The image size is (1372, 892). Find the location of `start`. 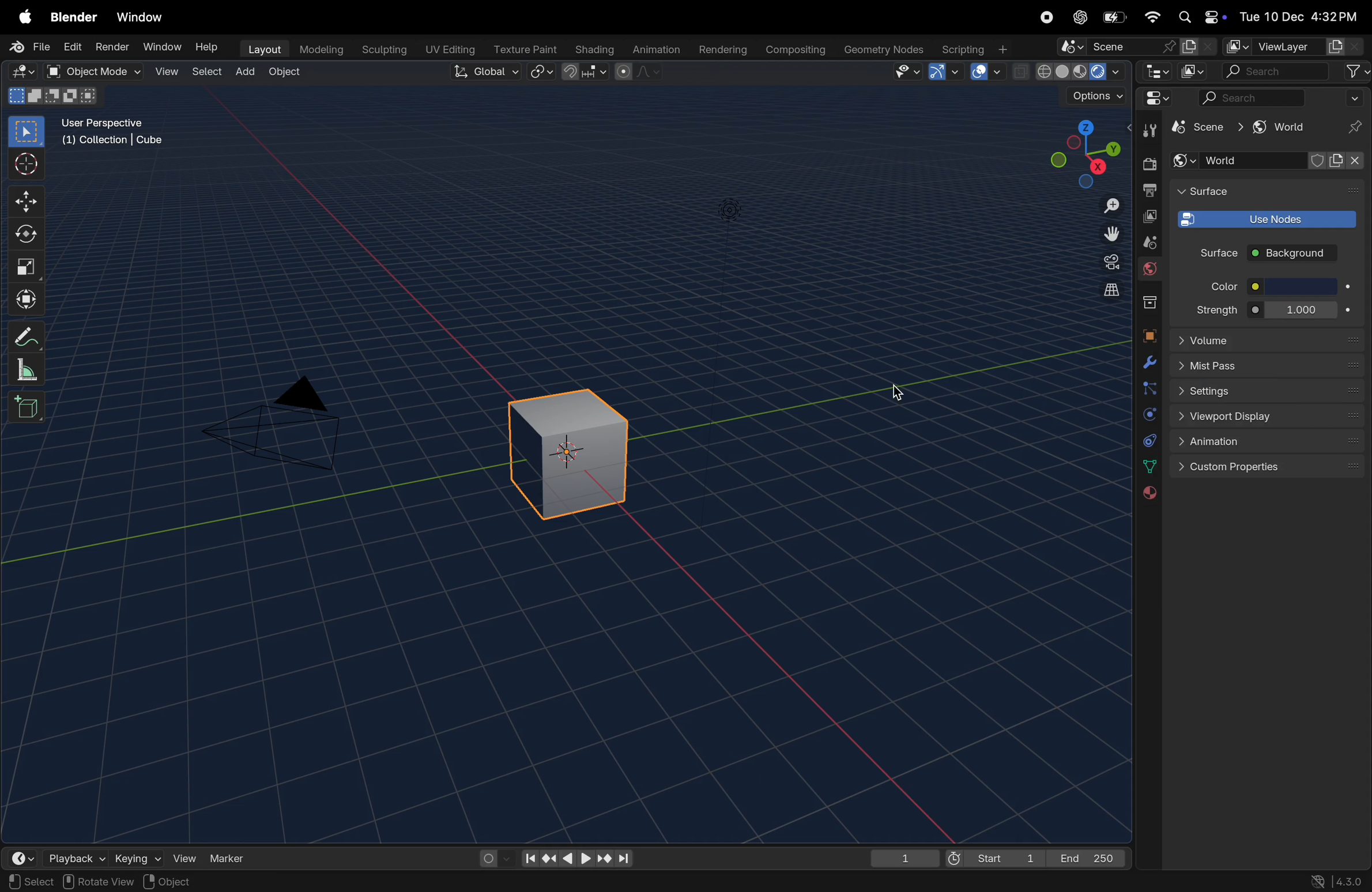

start is located at coordinates (996, 855).